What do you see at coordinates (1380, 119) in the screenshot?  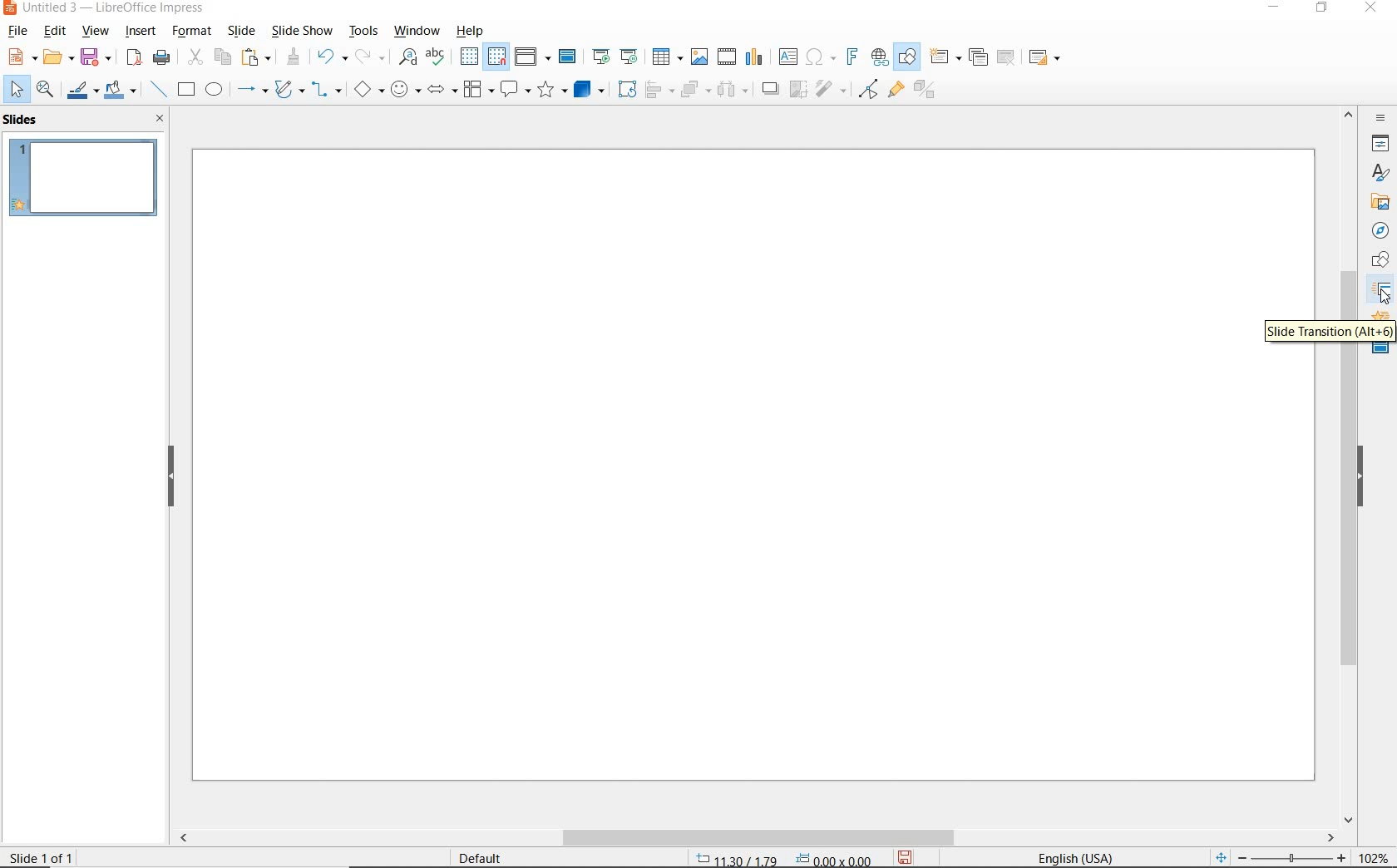 I see `SIDEBAR SETTINGS` at bounding box center [1380, 119].